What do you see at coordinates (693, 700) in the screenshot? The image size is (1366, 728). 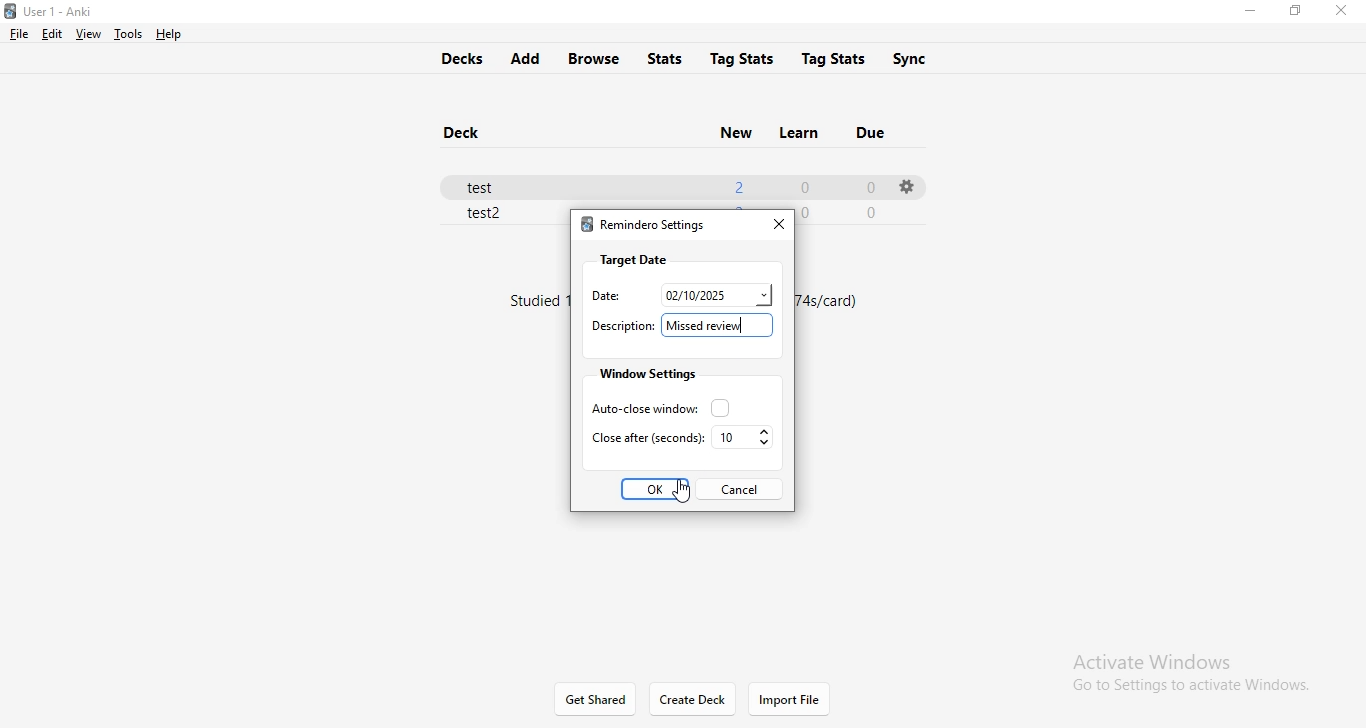 I see `Create Deck` at bounding box center [693, 700].